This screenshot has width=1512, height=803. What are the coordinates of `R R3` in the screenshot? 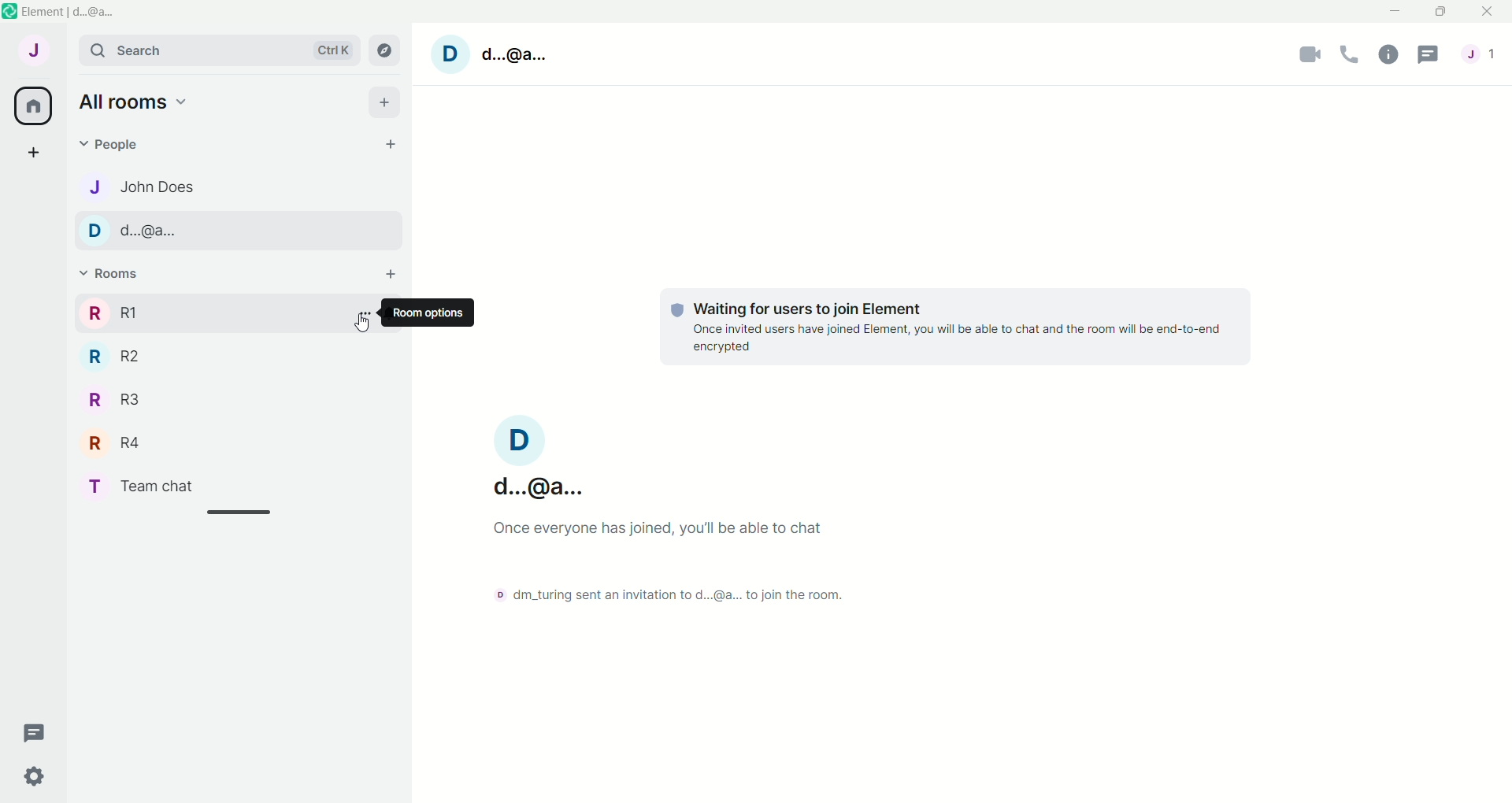 It's located at (126, 404).